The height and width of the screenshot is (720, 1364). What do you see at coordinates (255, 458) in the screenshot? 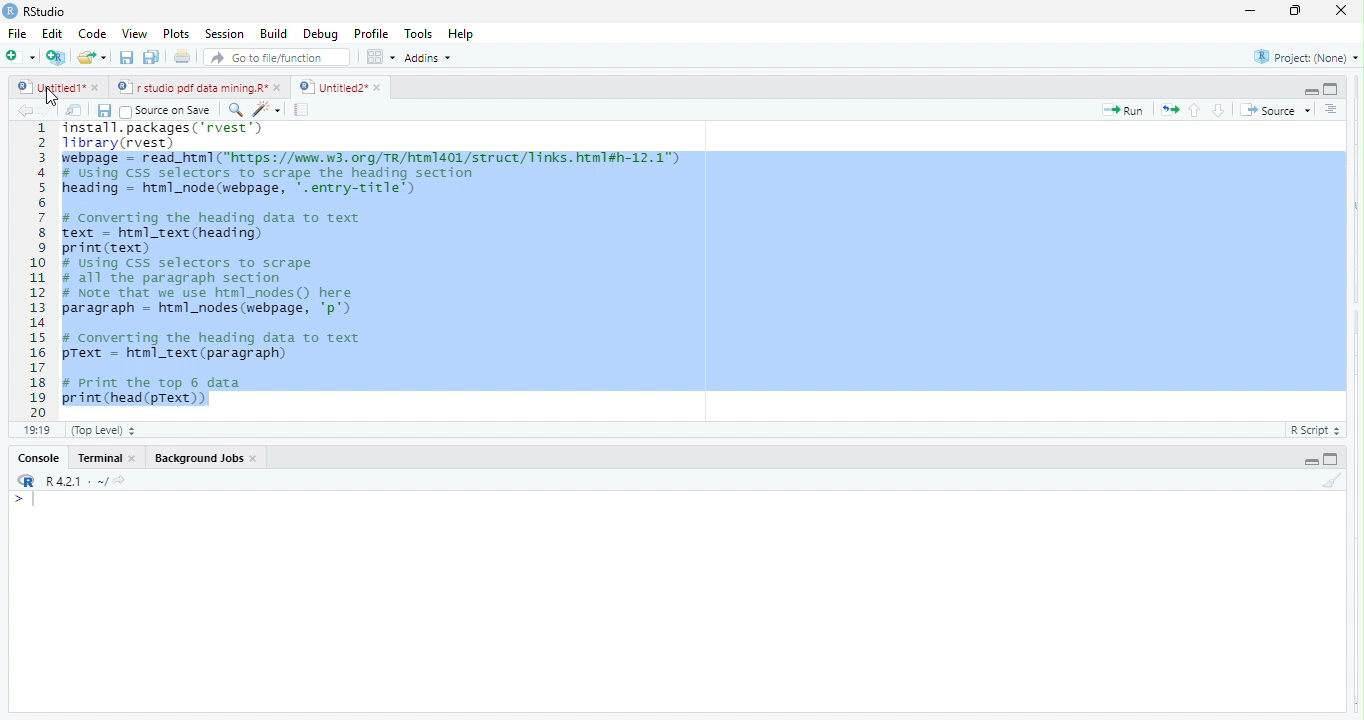
I see `close` at bounding box center [255, 458].